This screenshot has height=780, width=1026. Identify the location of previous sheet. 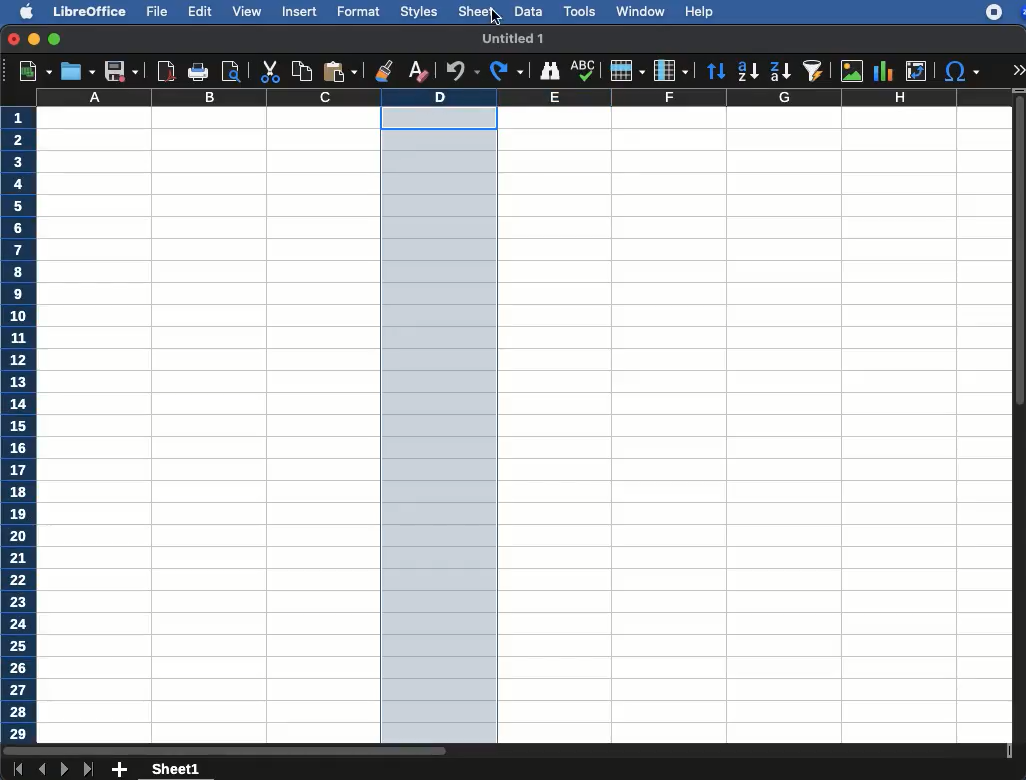
(43, 770).